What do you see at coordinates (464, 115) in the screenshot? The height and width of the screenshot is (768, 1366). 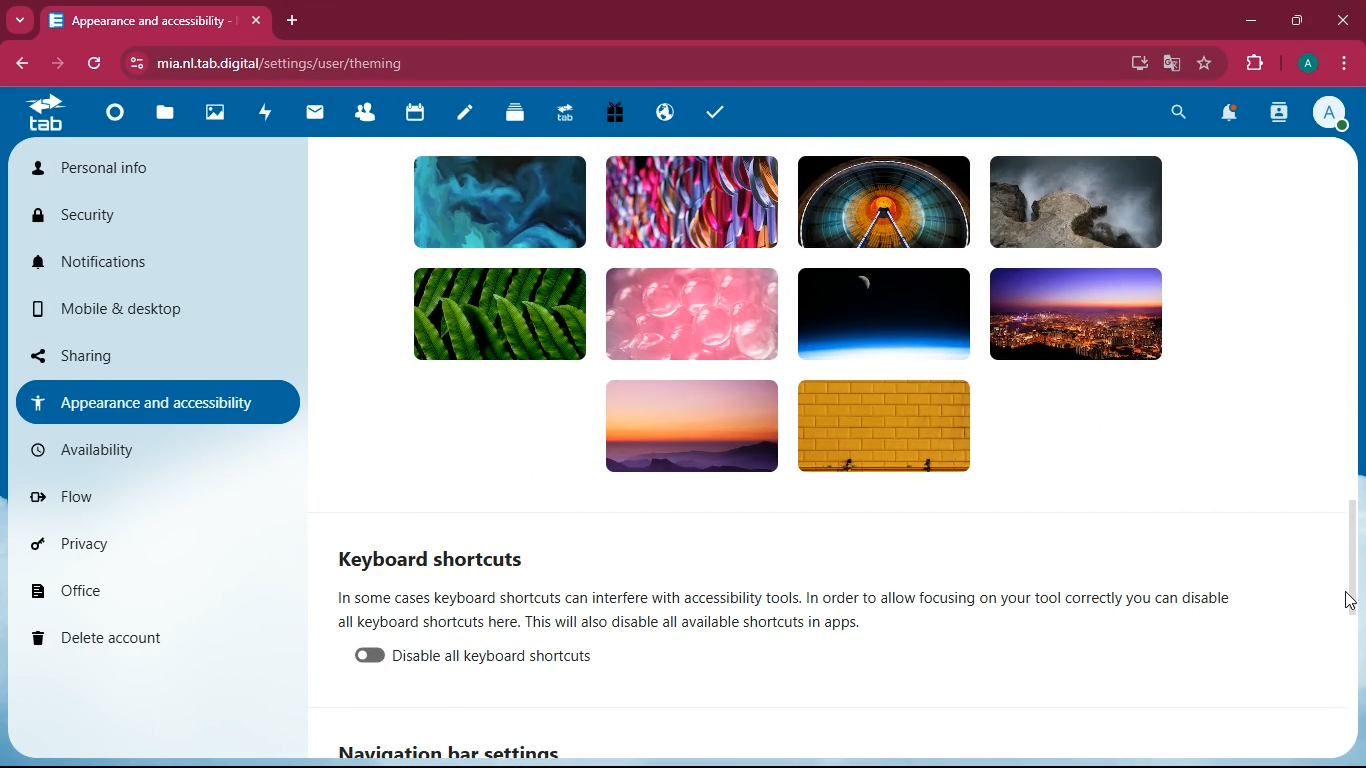 I see `notes` at bounding box center [464, 115].